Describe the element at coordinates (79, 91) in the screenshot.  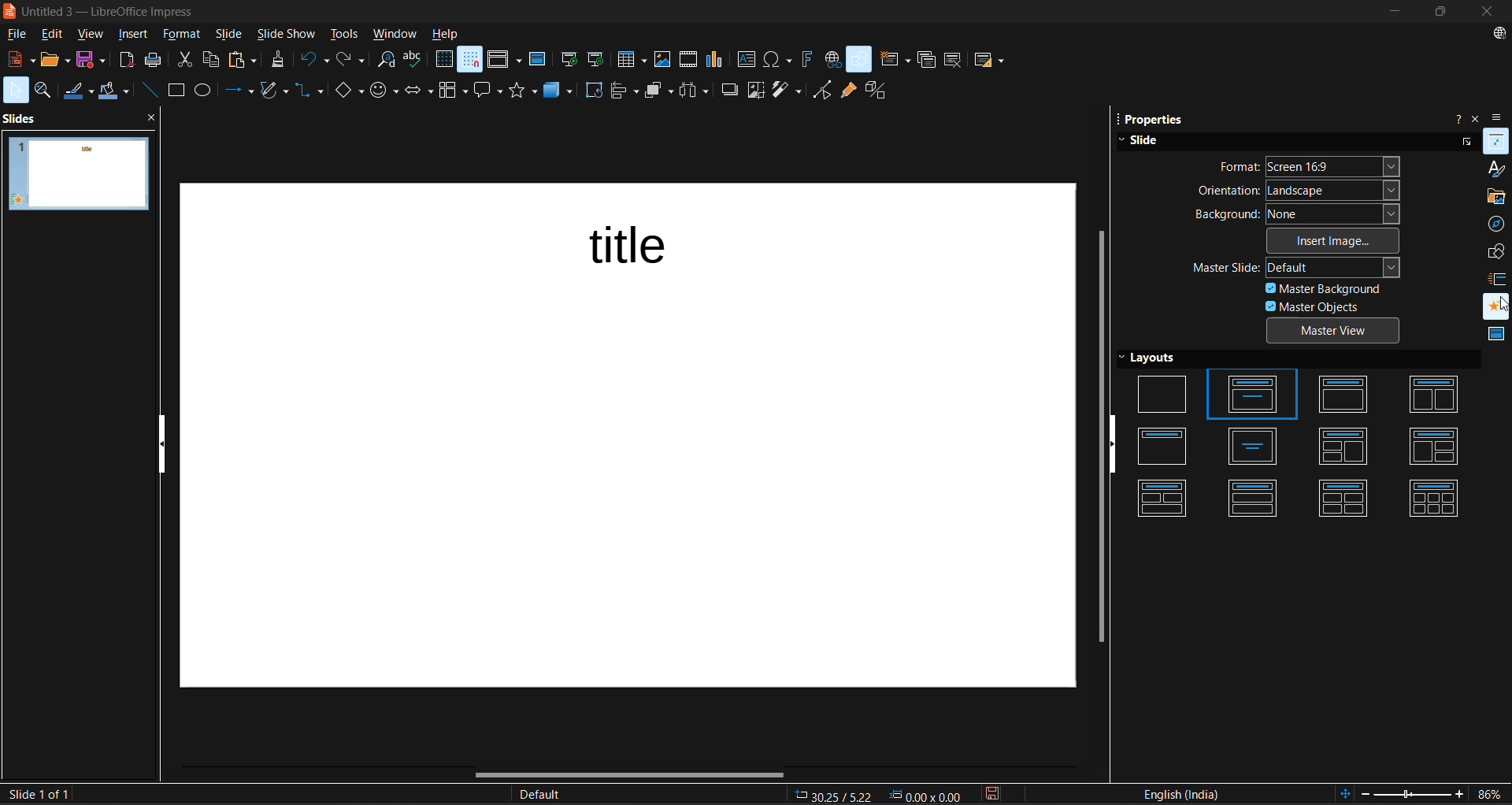
I see `line color` at that location.